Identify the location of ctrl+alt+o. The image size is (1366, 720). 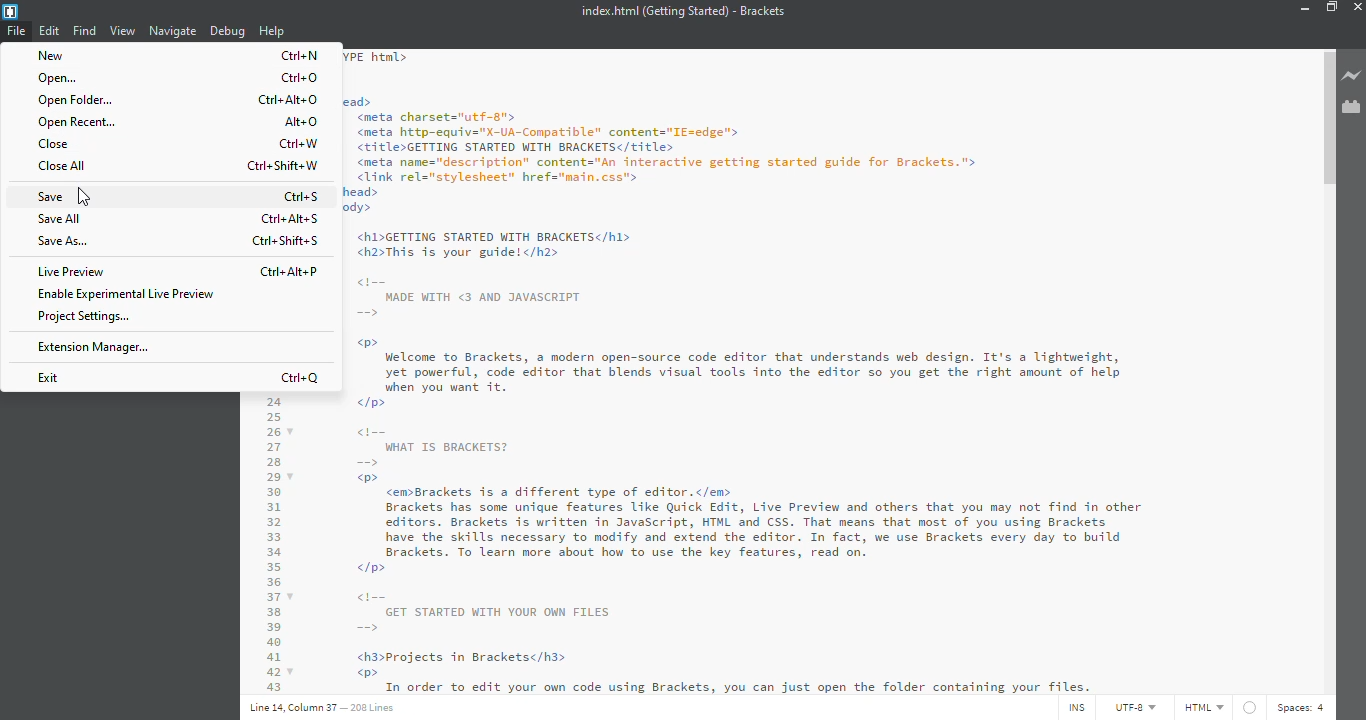
(295, 99).